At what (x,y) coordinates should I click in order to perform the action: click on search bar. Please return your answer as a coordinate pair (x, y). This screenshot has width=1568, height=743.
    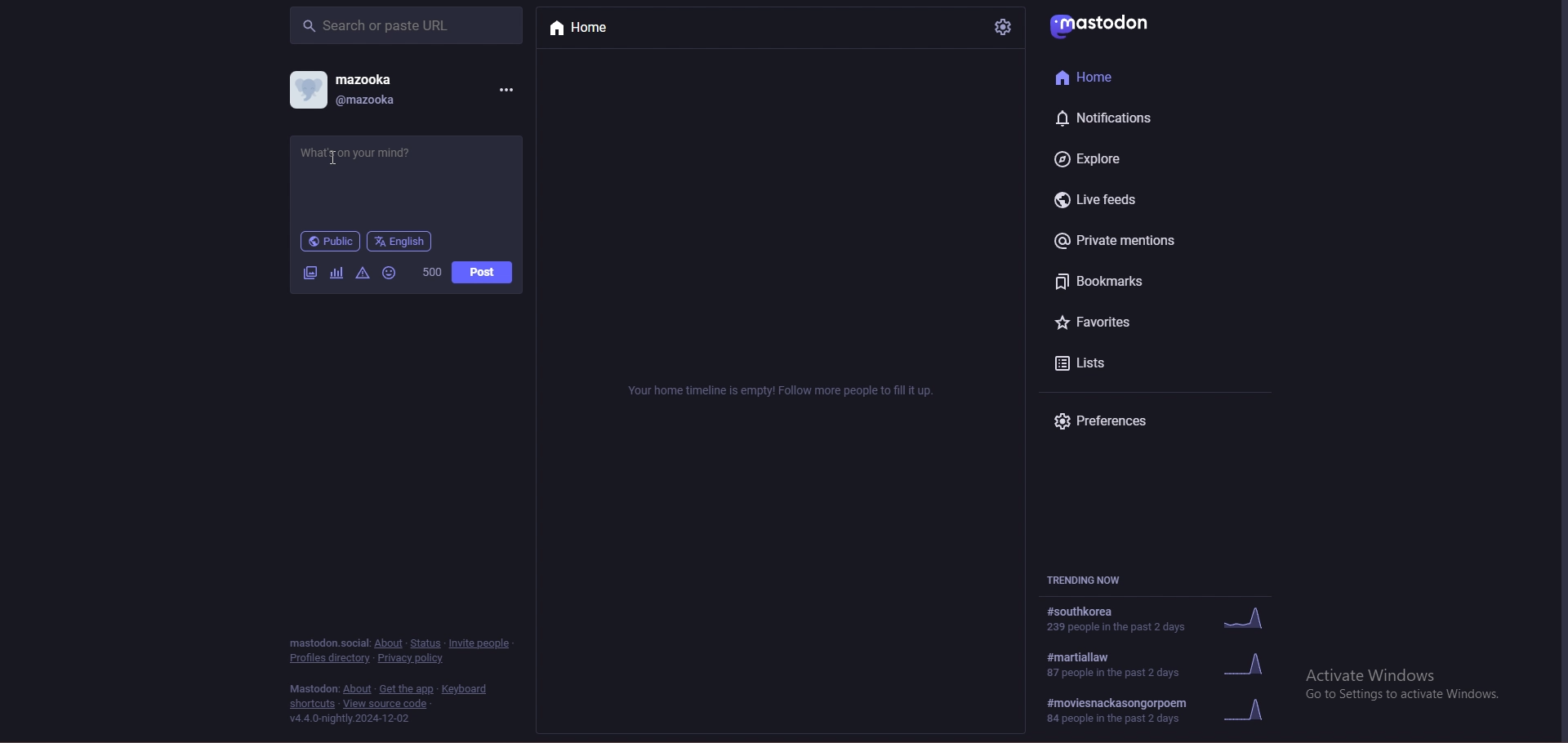
    Looking at the image, I should click on (406, 24).